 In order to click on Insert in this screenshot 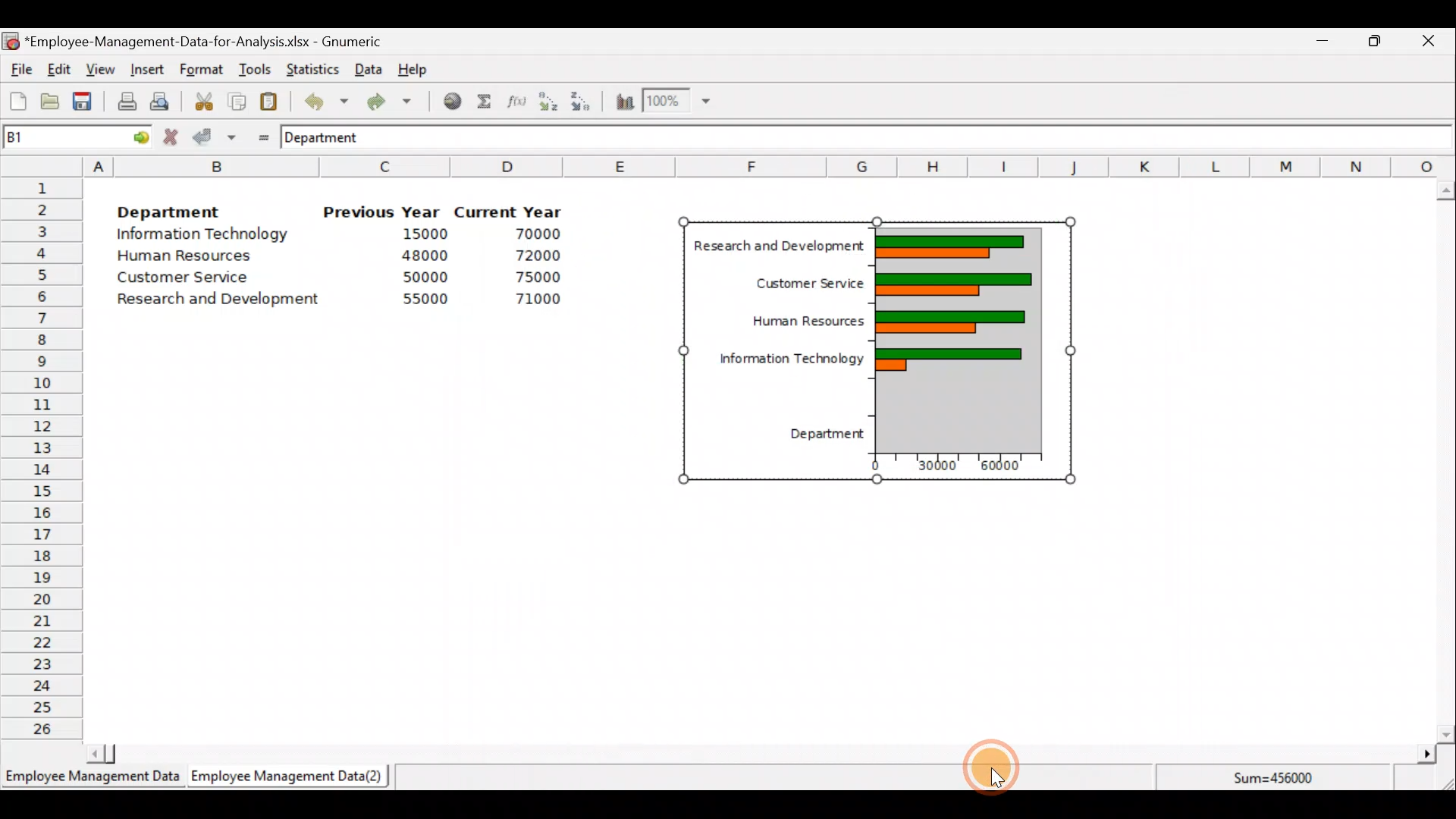, I will do `click(146, 70)`.